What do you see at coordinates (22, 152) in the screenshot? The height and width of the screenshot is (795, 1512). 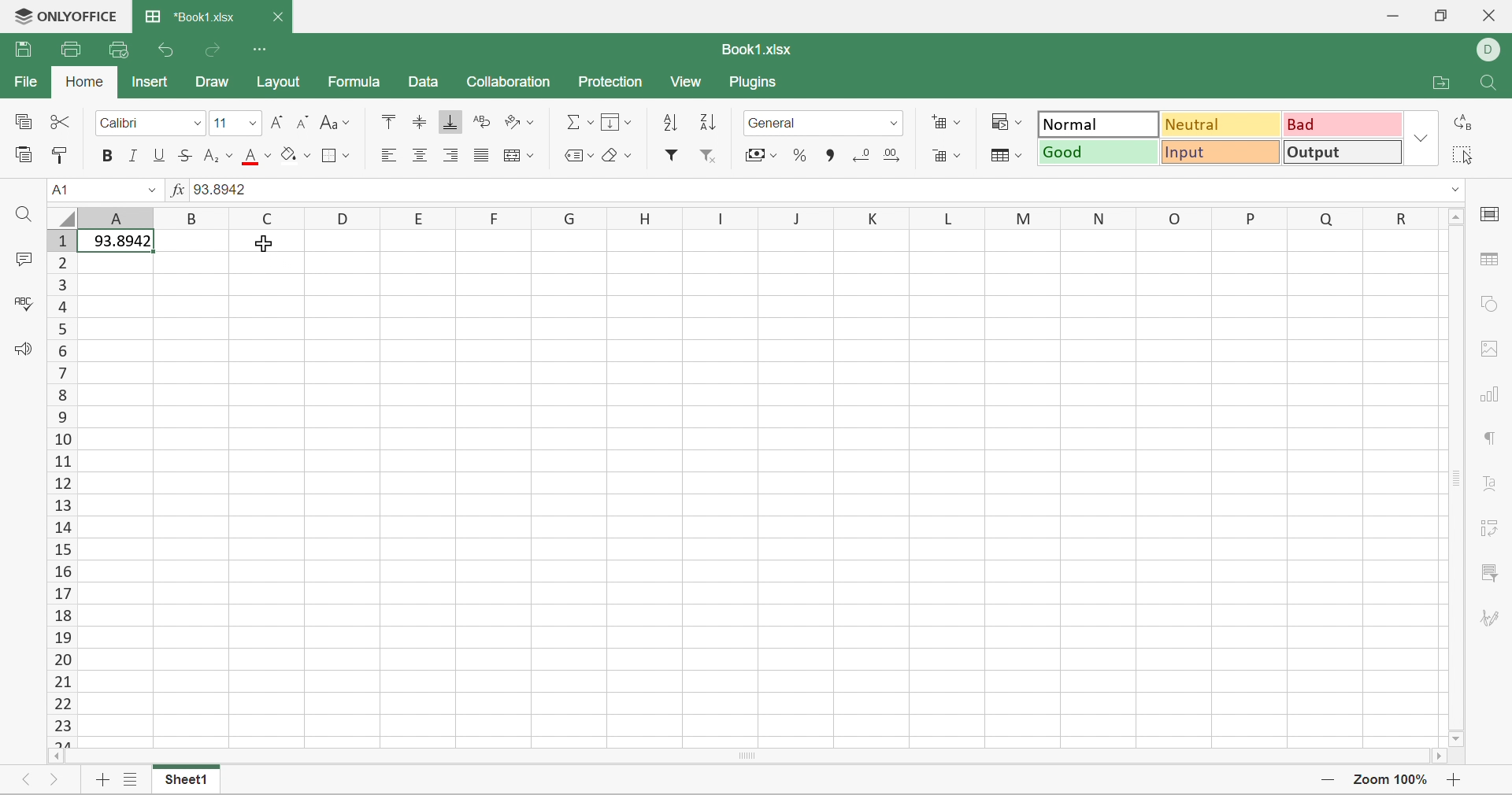 I see `Paste` at bounding box center [22, 152].